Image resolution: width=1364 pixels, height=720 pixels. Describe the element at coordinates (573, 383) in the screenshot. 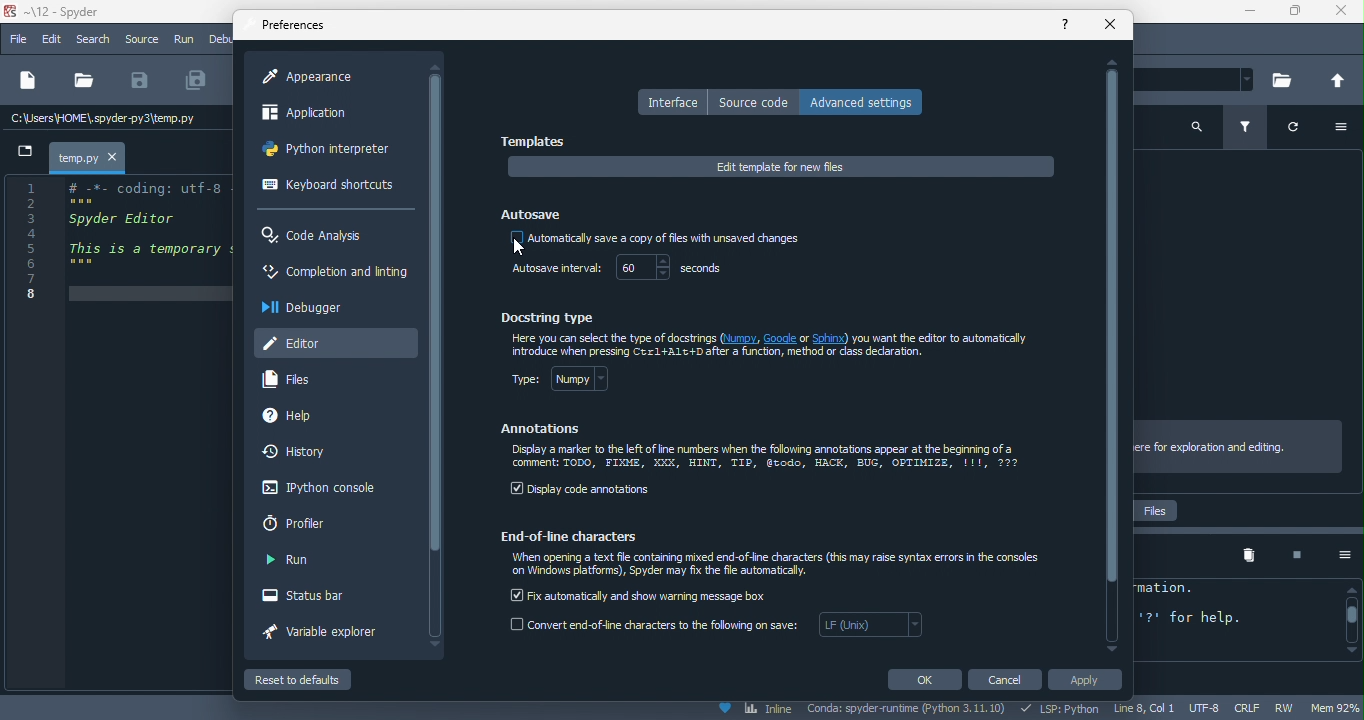

I see `type` at that location.